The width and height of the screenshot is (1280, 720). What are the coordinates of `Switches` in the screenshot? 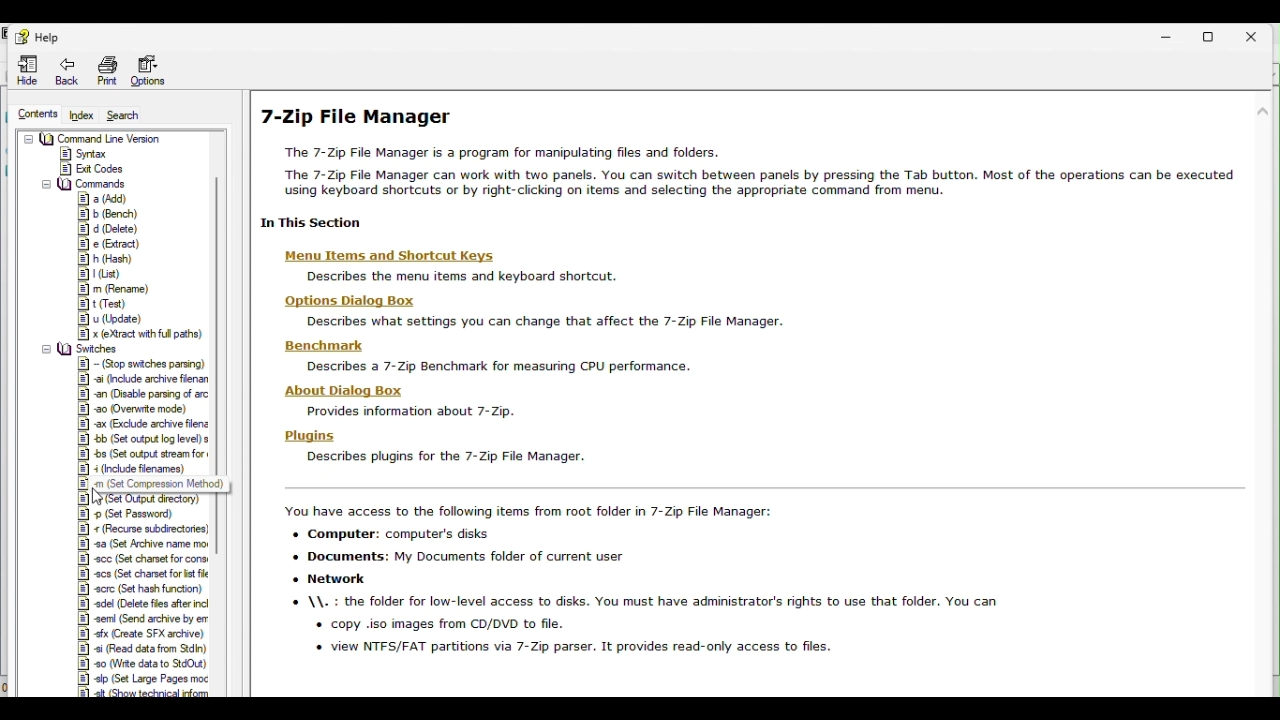 It's located at (84, 348).